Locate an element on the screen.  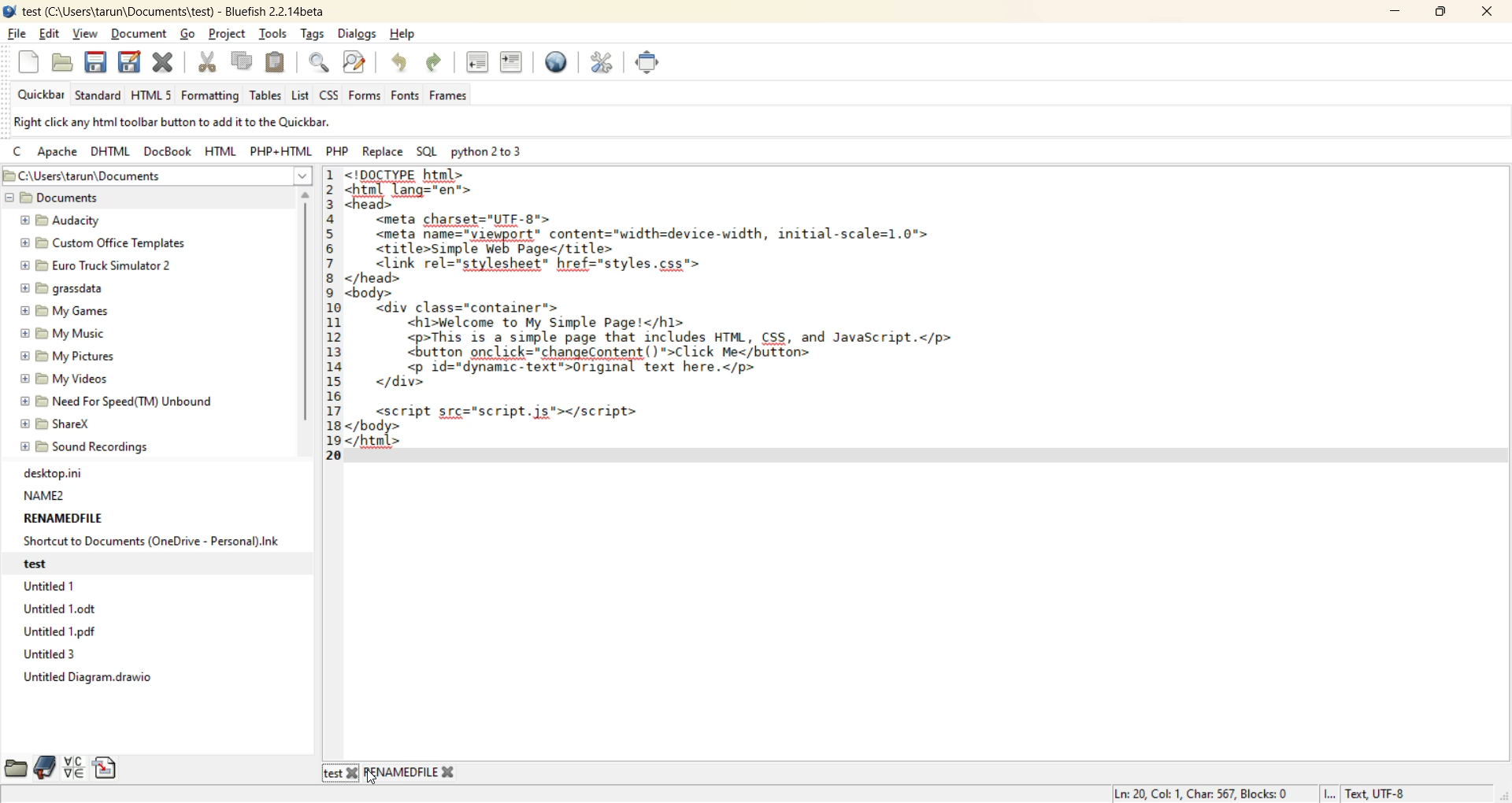
Untitled Diagram.drawio is located at coordinates (88, 679).